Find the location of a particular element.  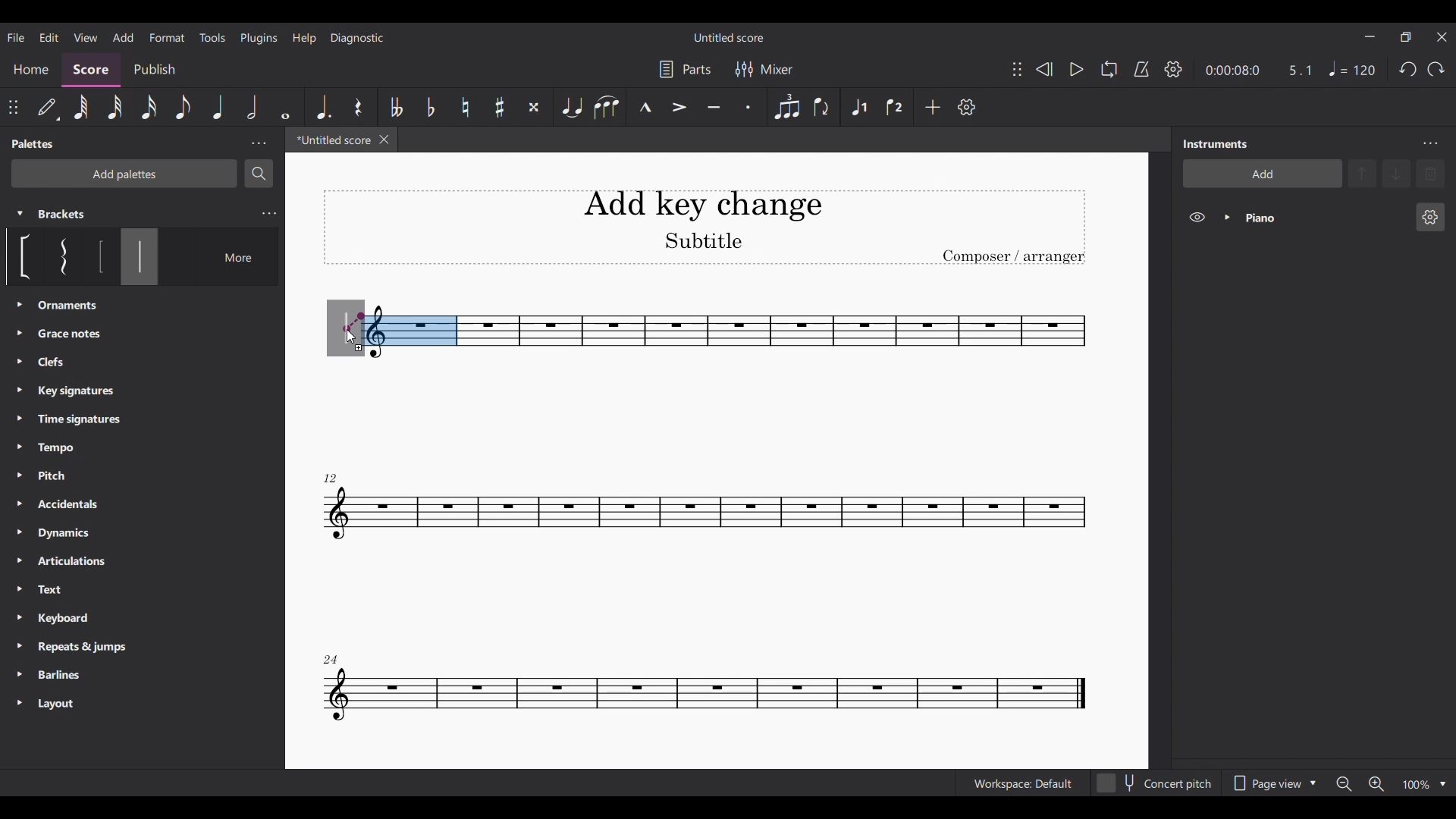

Staccato is located at coordinates (748, 107).